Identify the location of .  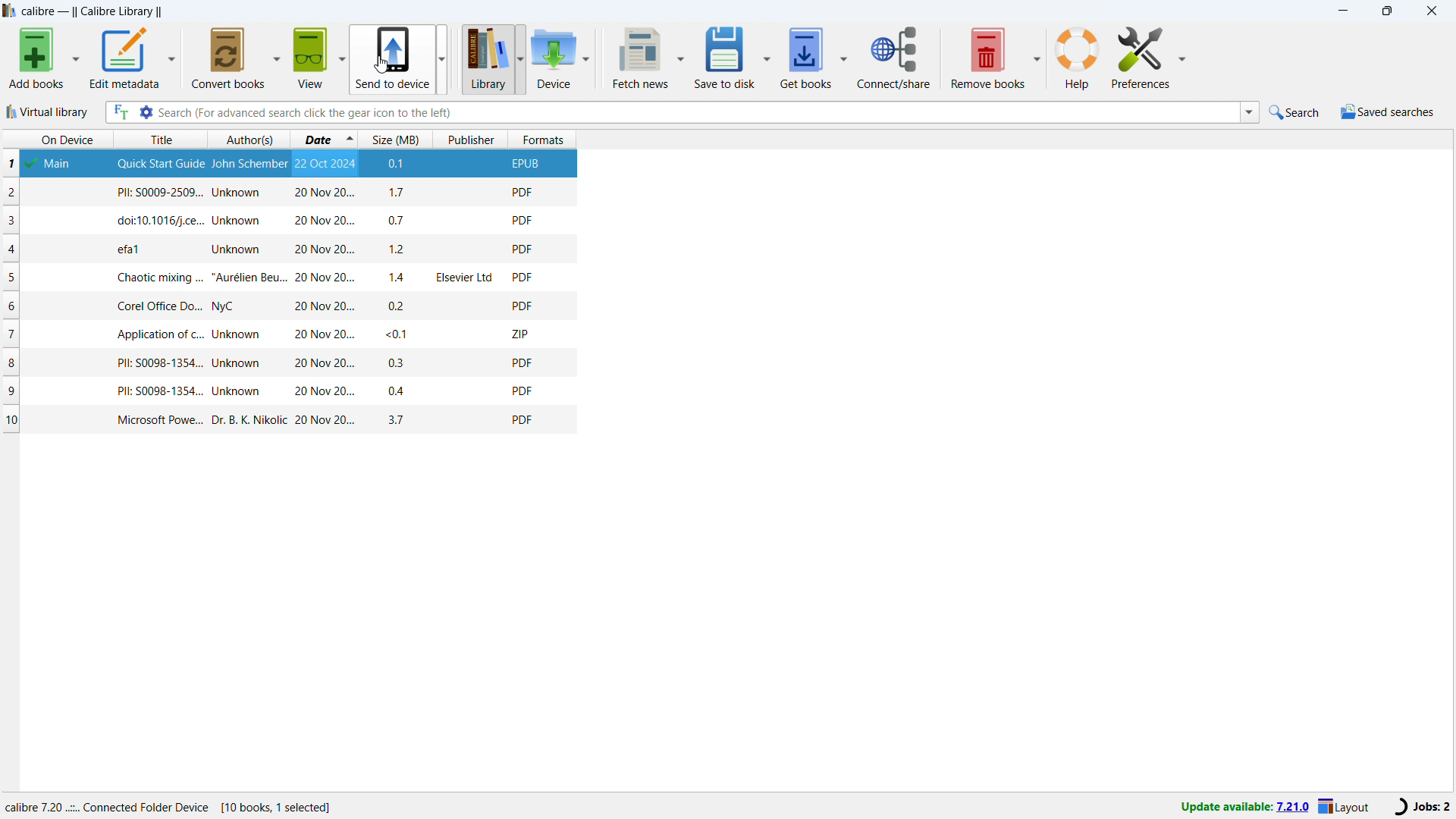
(725, 57).